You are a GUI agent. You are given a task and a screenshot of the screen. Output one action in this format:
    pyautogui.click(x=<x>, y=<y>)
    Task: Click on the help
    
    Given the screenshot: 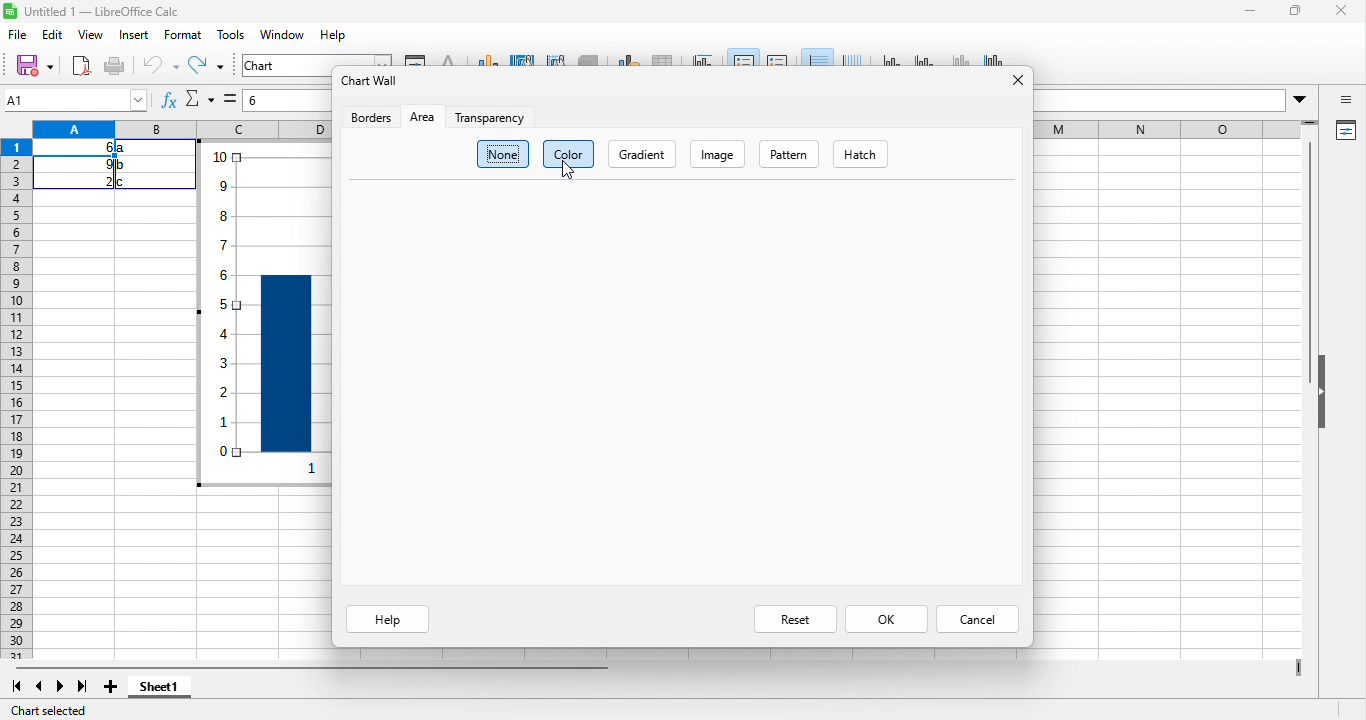 What is the action you would take?
    pyautogui.click(x=332, y=36)
    